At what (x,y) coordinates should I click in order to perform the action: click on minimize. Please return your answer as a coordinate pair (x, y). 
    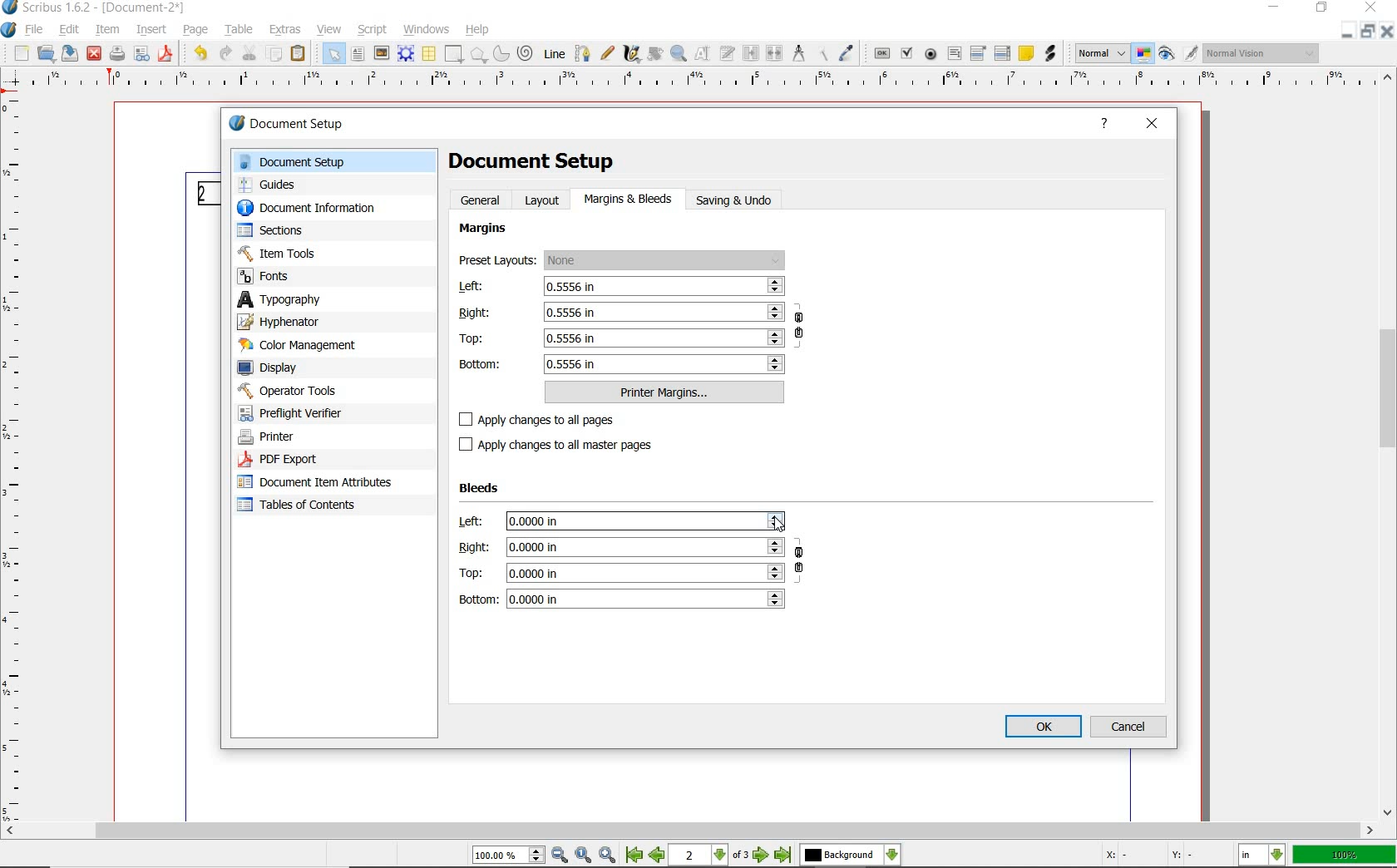
    Looking at the image, I should click on (1271, 7).